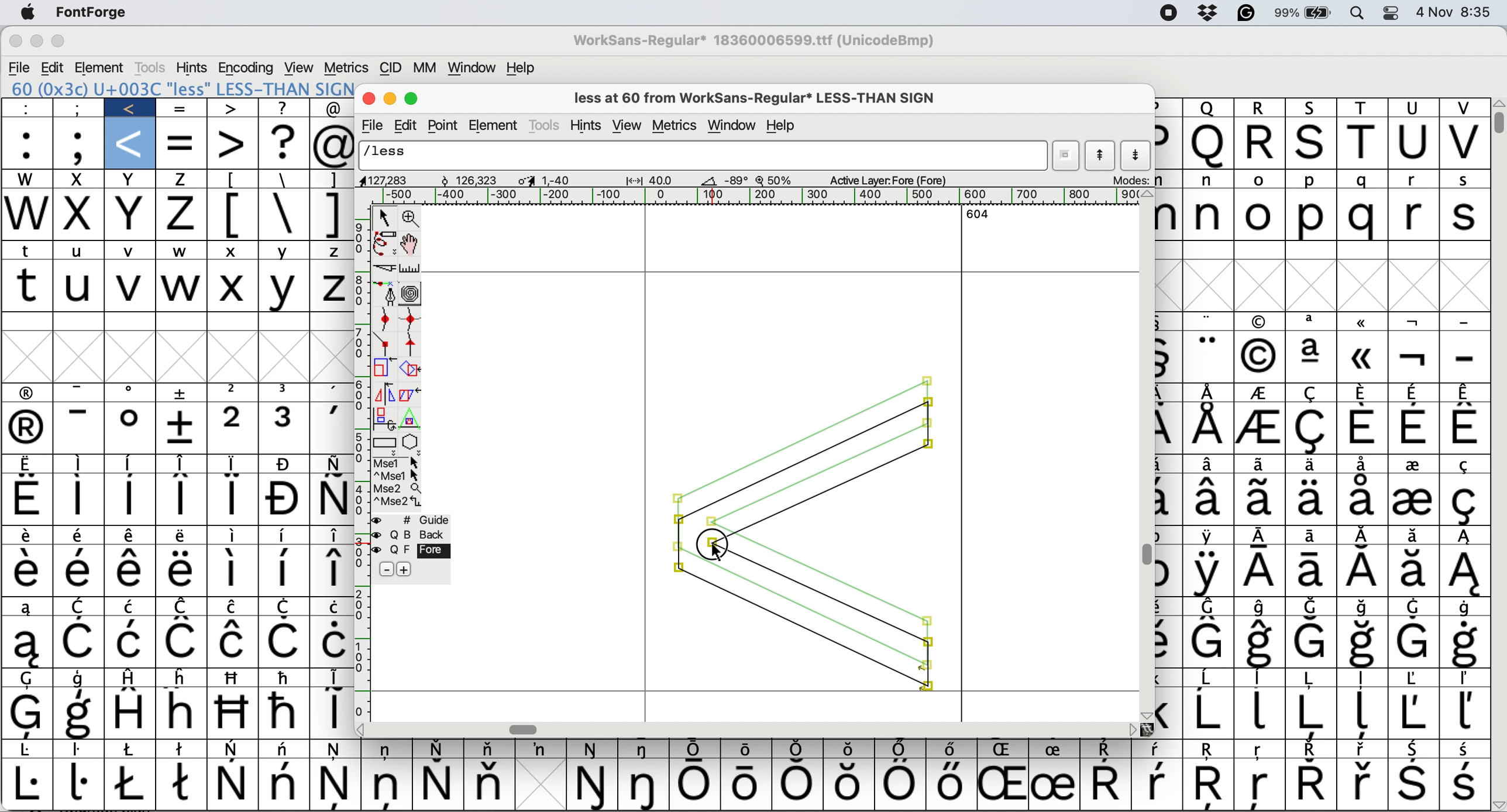 The image size is (1507, 812). Describe the element at coordinates (1208, 679) in the screenshot. I see `Symbol` at that location.